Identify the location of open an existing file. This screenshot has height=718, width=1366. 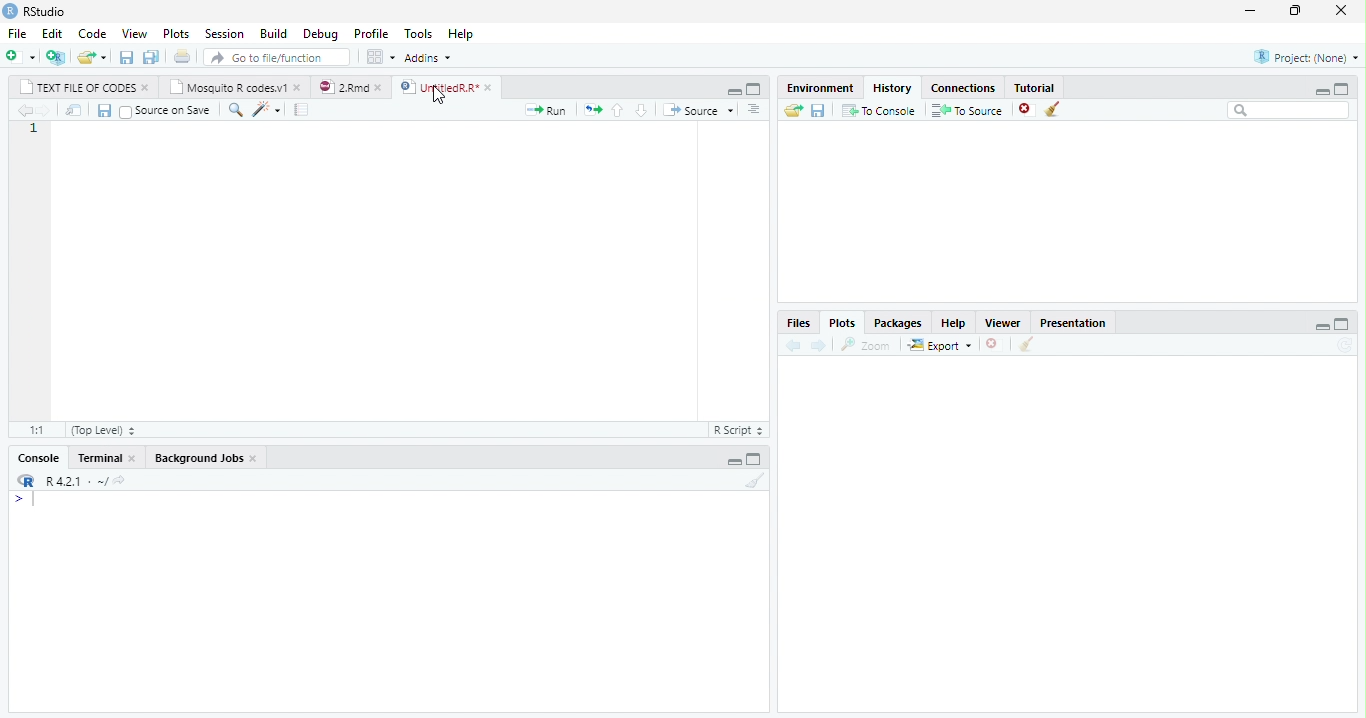
(91, 56).